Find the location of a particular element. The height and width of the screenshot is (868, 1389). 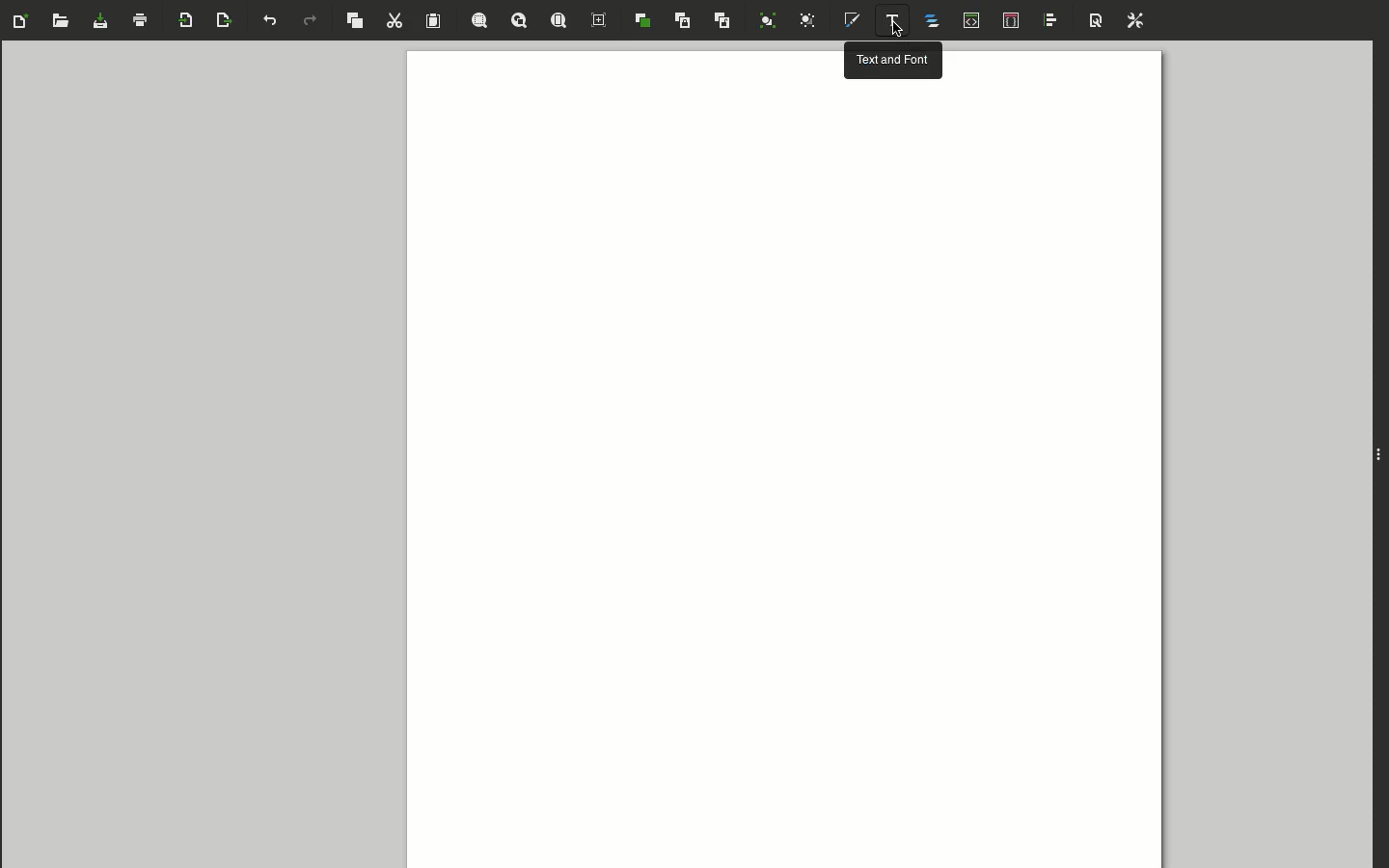

Document properties is located at coordinates (1093, 20).